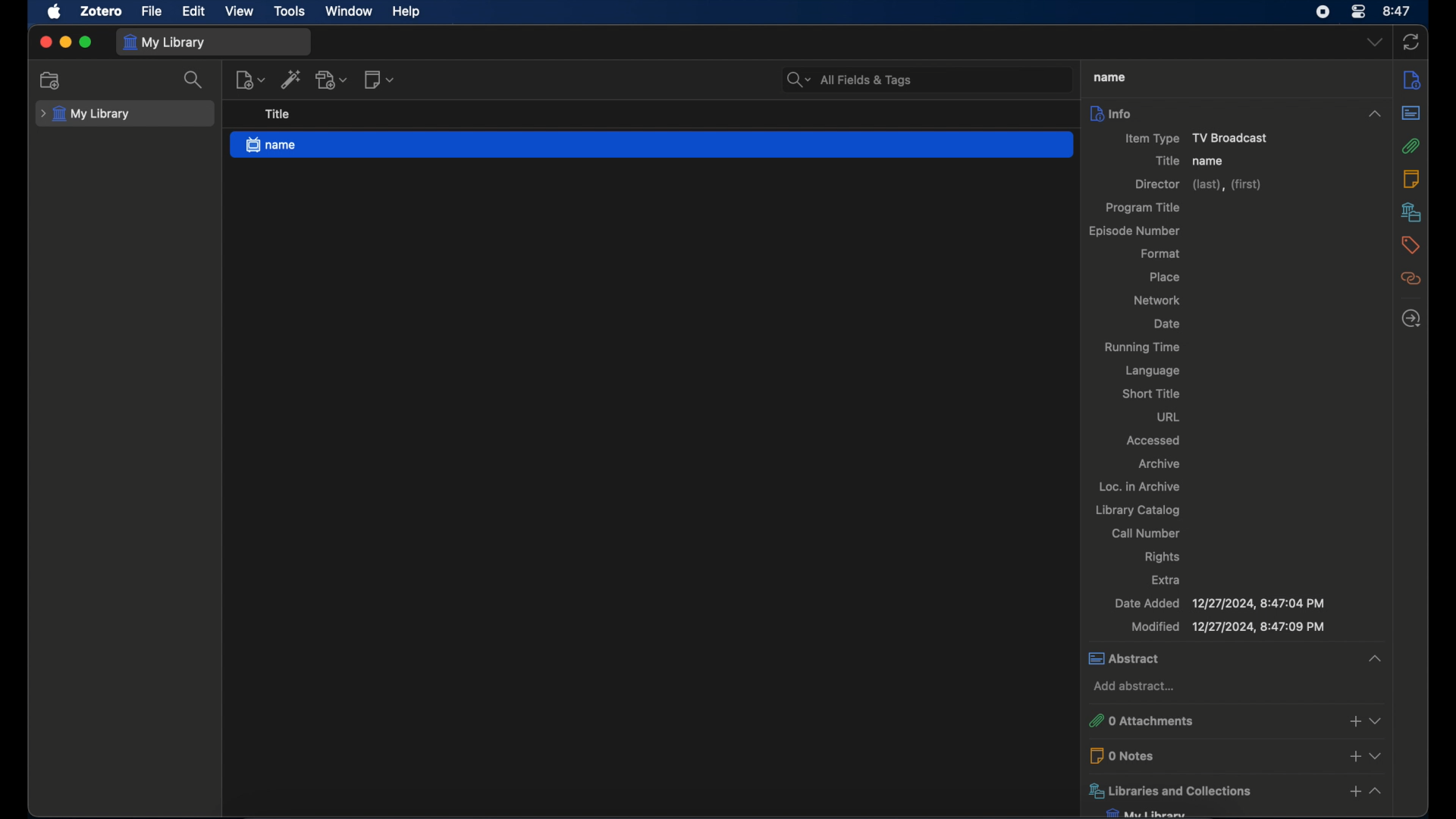 This screenshot has height=819, width=1456. What do you see at coordinates (1169, 416) in the screenshot?
I see `url` at bounding box center [1169, 416].